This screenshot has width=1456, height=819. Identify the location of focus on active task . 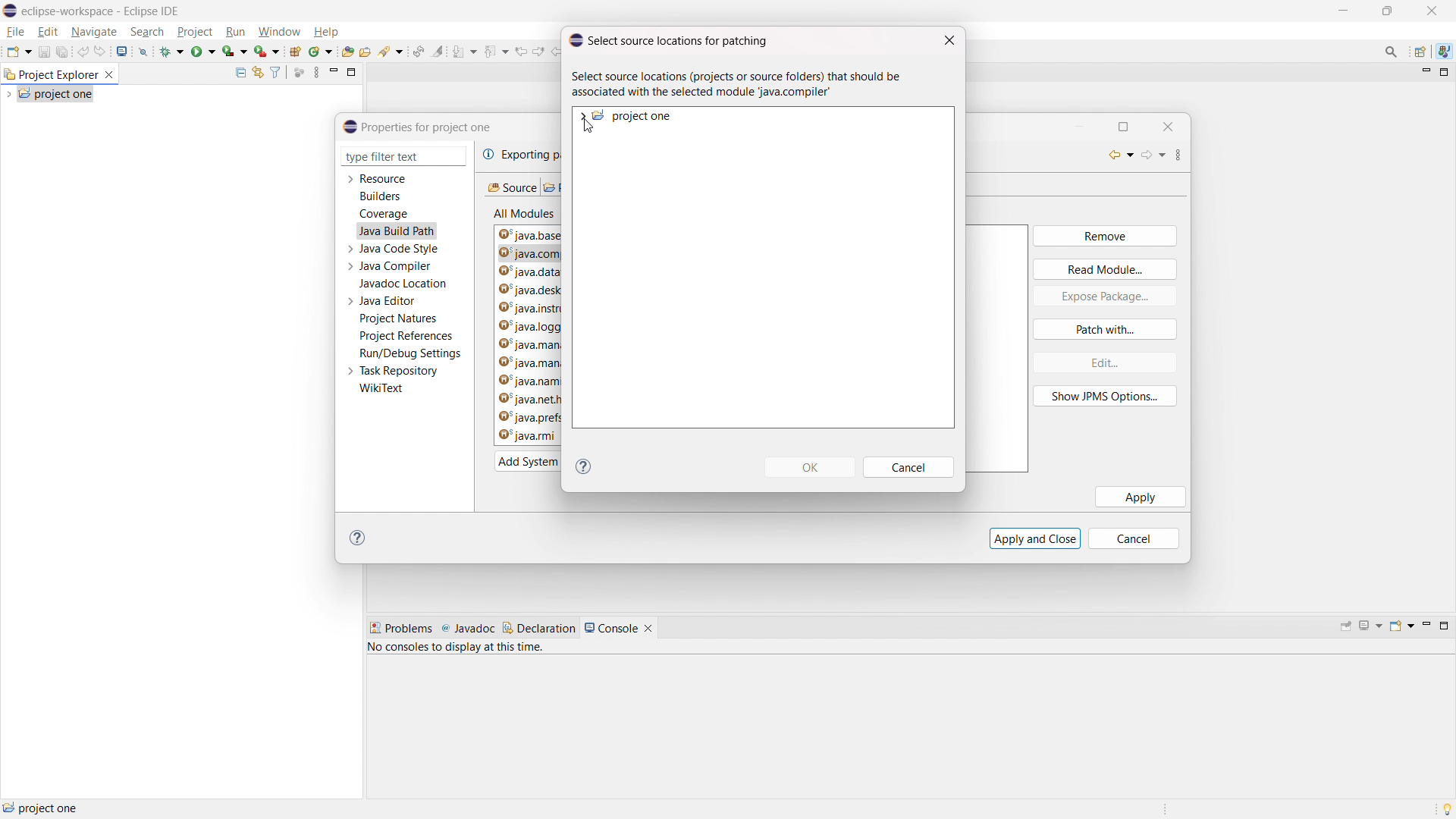
(300, 73).